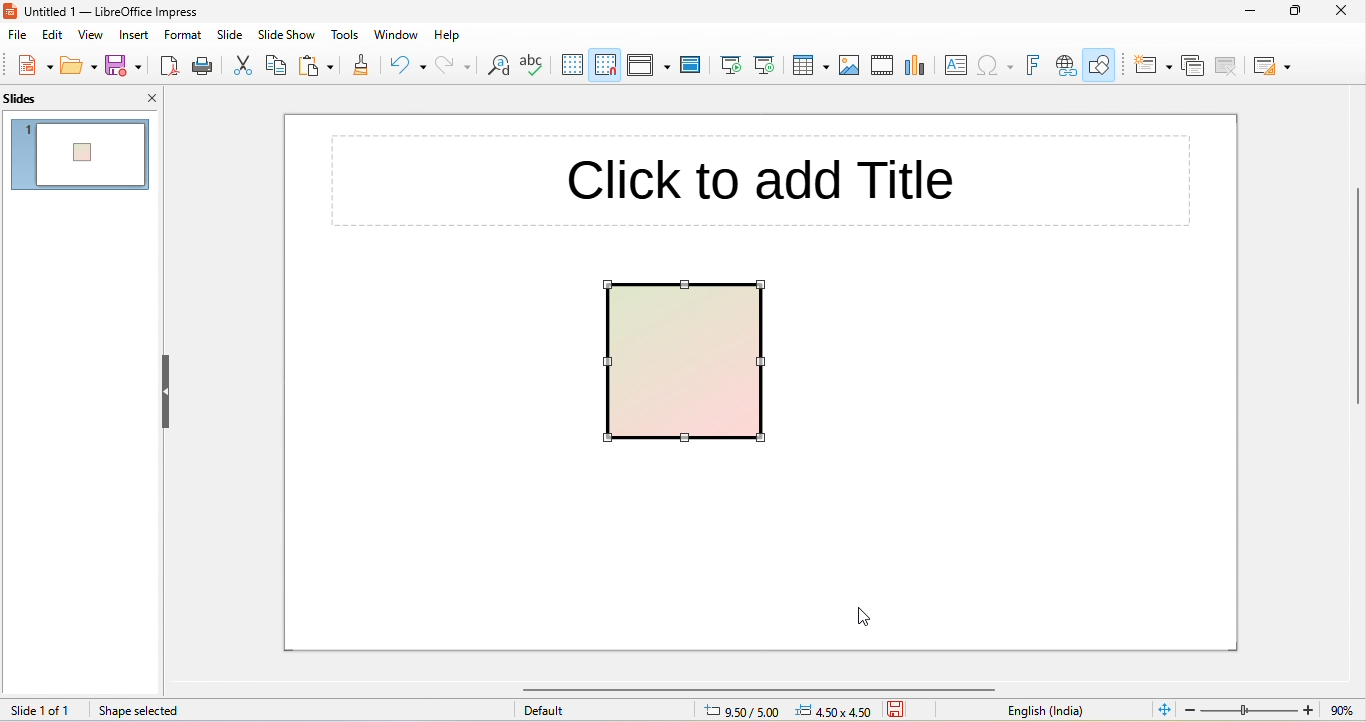 The height and width of the screenshot is (722, 1366). What do you see at coordinates (12, 11) in the screenshot?
I see `logo` at bounding box center [12, 11].